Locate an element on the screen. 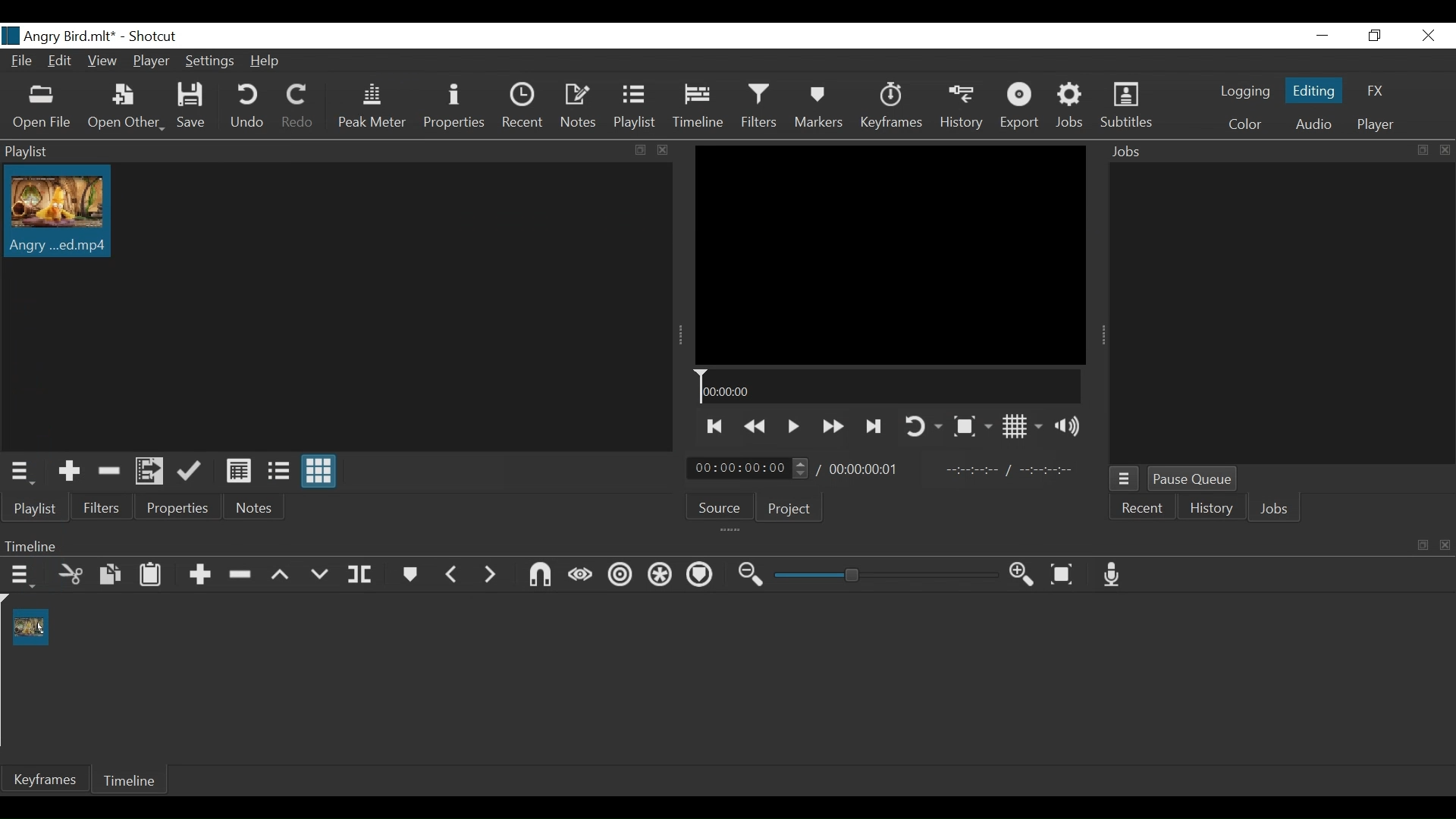 The height and width of the screenshot is (819, 1456). Shotcut is located at coordinates (158, 36).